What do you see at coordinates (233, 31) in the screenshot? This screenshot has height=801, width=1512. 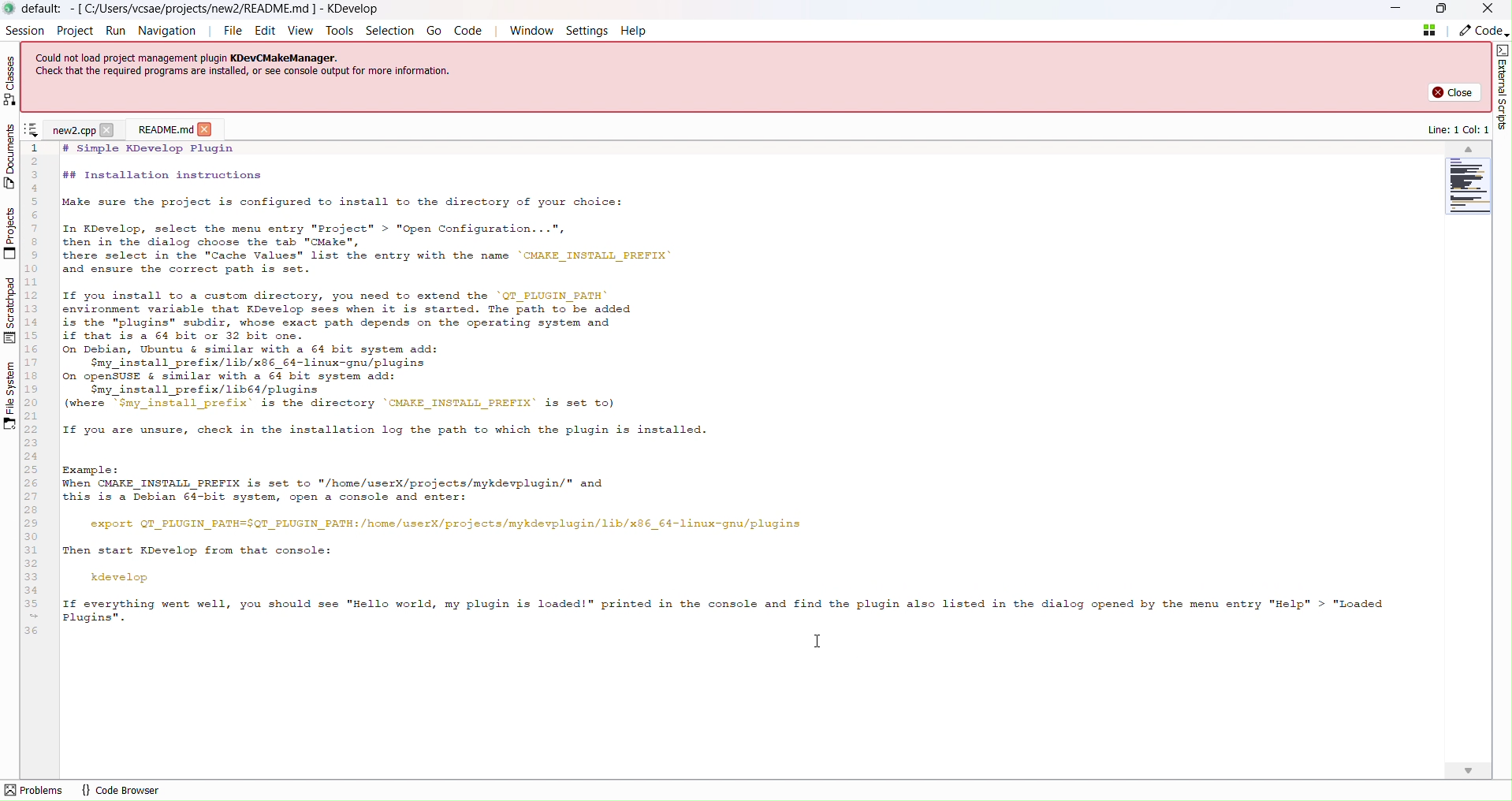 I see `File` at bounding box center [233, 31].